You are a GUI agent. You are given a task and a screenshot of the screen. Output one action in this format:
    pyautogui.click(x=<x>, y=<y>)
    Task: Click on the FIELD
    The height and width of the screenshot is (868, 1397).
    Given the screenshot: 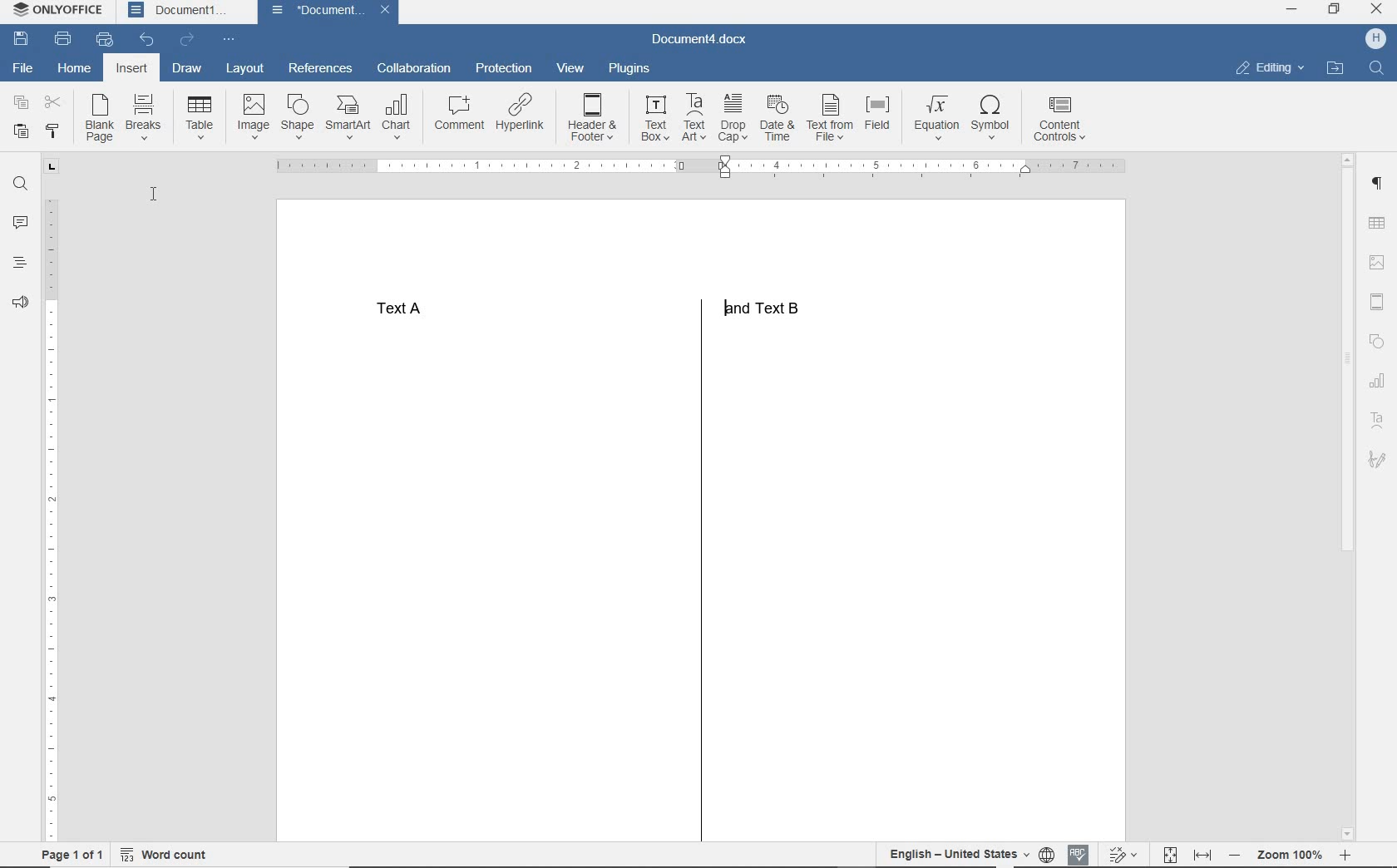 What is the action you would take?
    pyautogui.click(x=879, y=123)
    